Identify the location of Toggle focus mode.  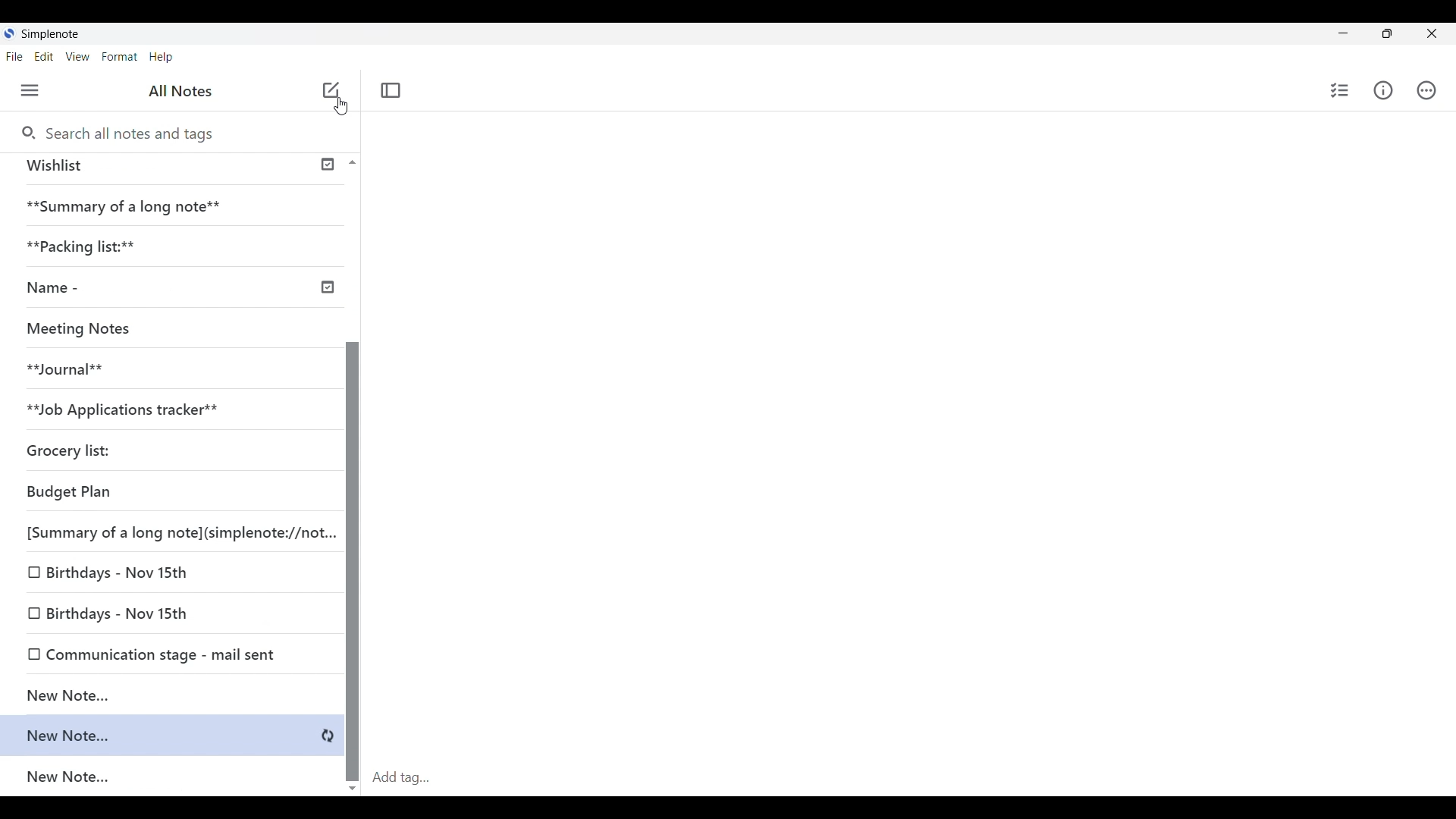
(393, 89).